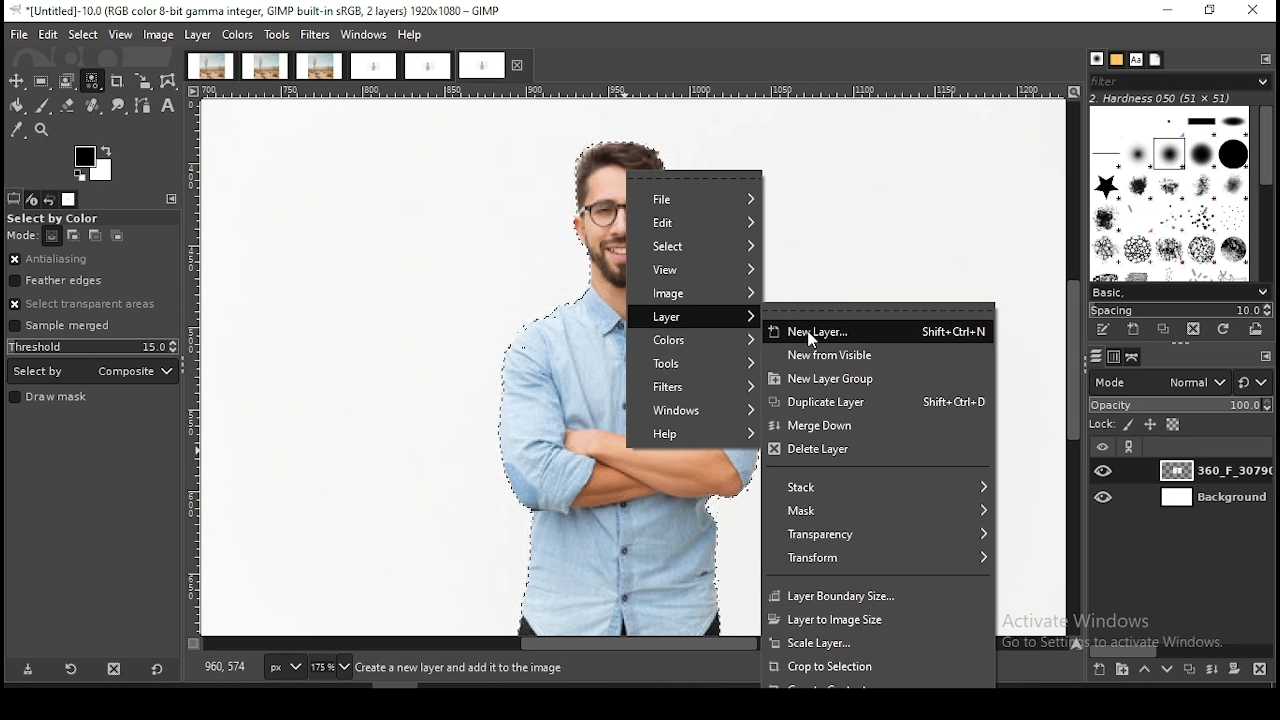 The image size is (1280, 720). What do you see at coordinates (60, 327) in the screenshot?
I see `sample merged` at bounding box center [60, 327].